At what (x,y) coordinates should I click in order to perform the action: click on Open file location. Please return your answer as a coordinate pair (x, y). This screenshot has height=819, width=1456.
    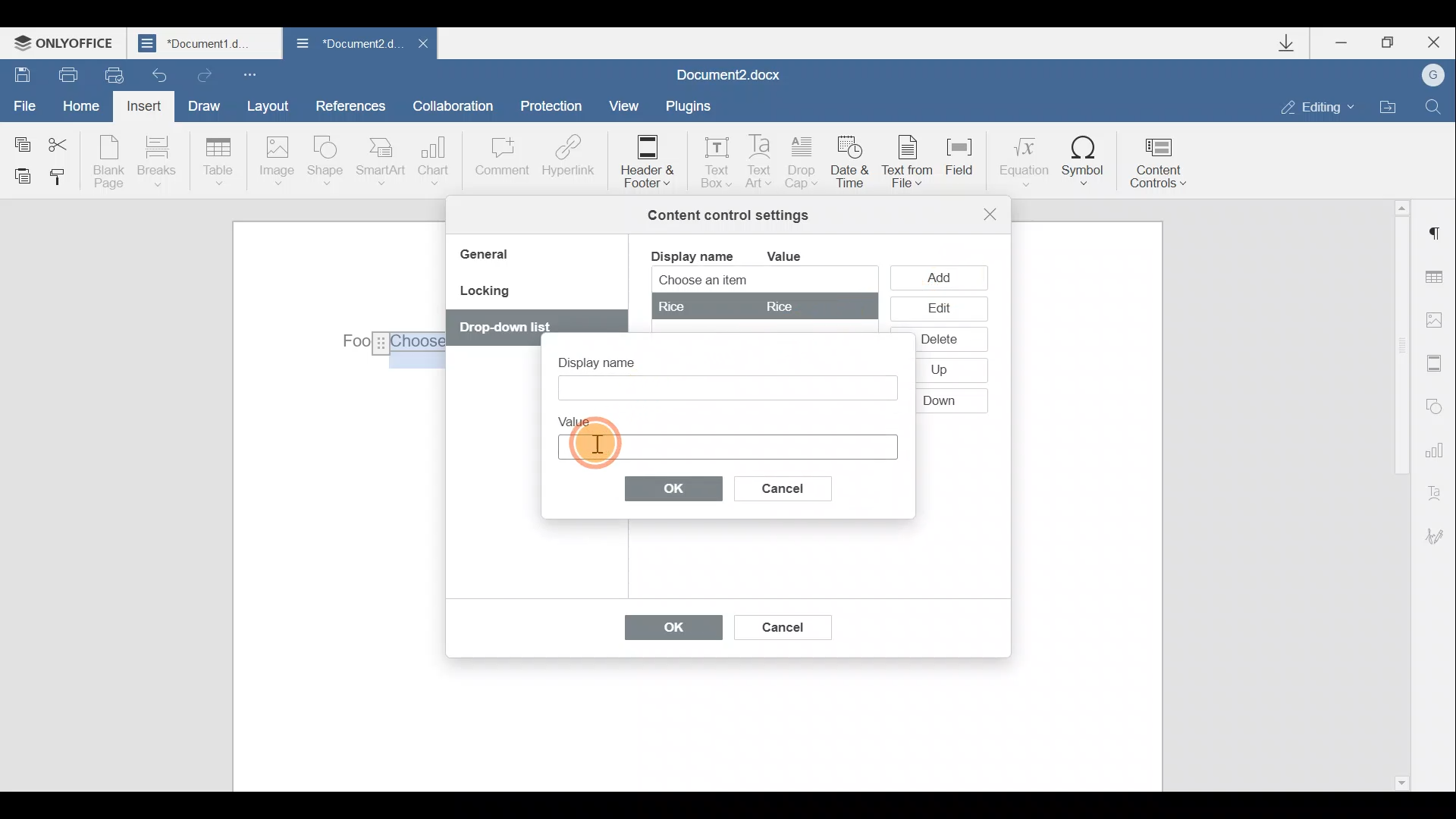
    Looking at the image, I should click on (1388, 105).